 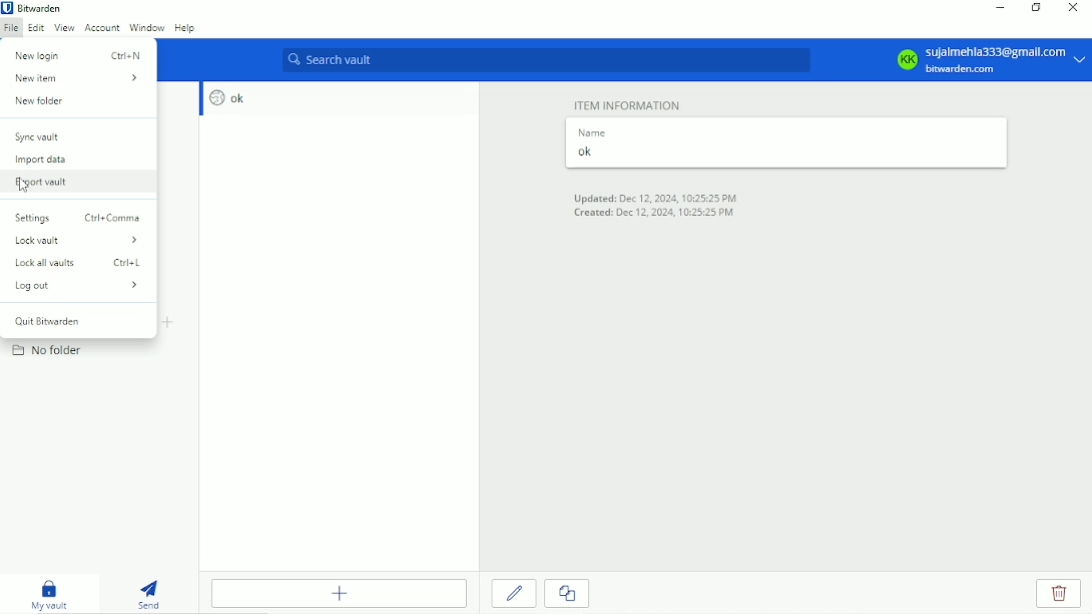 I want to click on No folder, so click(x=52, y=352).